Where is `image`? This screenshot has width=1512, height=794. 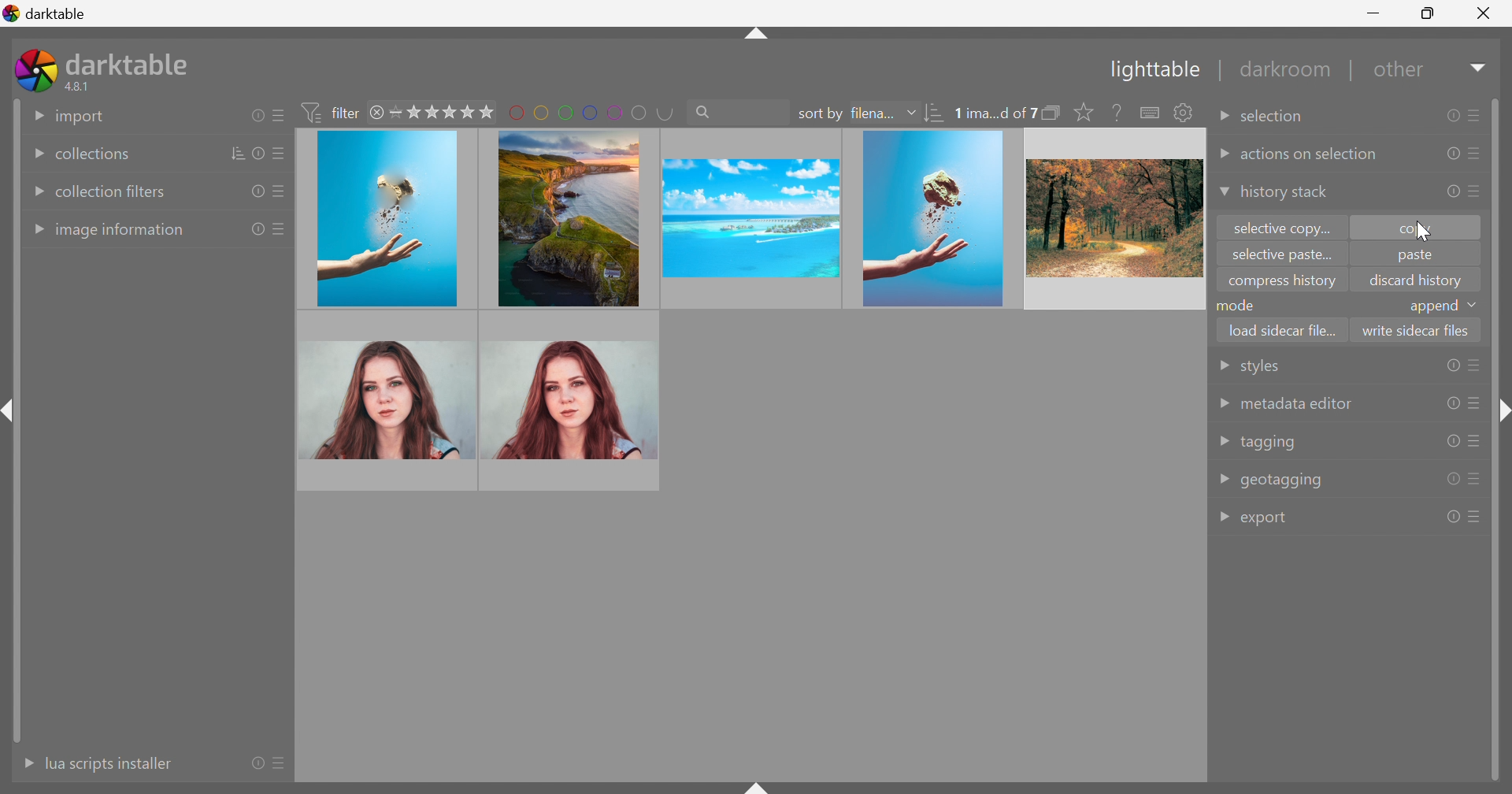
image is located at coordinates (565, 217).